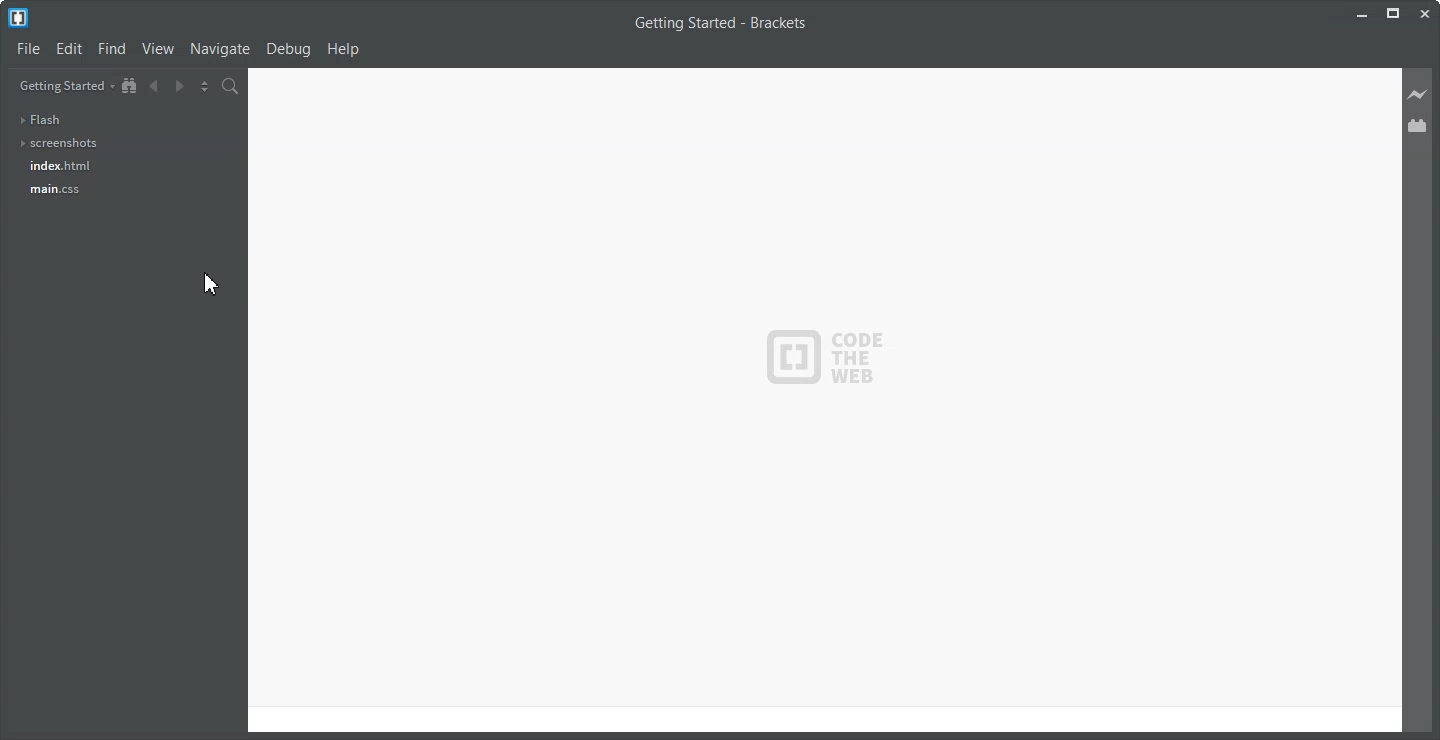  Describe the element at coordinates (29, 49) in the screenshot. I see `File` at that location.